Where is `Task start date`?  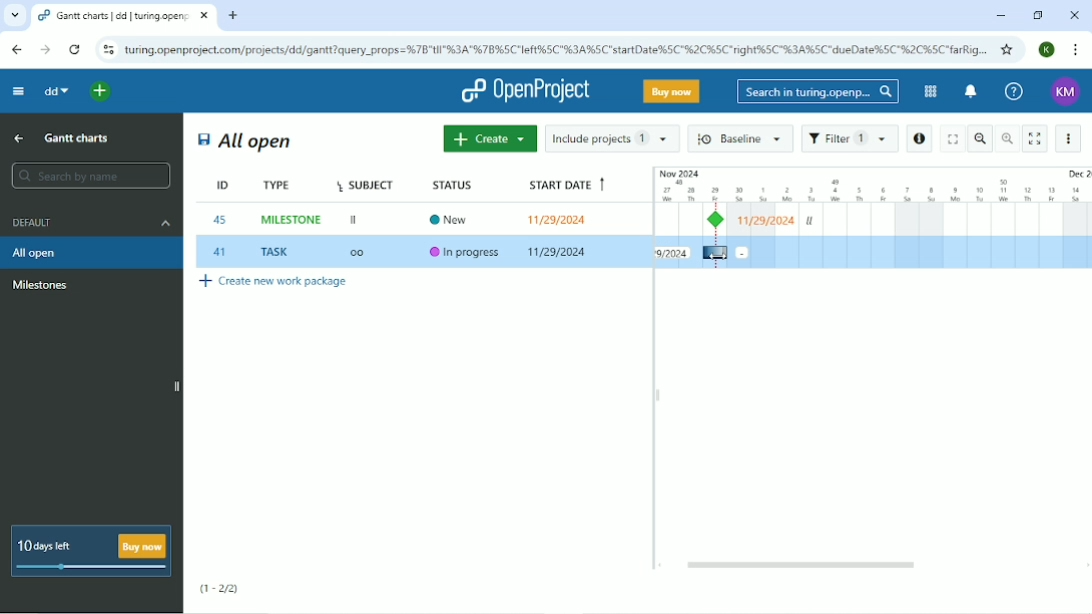 Task start date is located at coordinates (673, 253).